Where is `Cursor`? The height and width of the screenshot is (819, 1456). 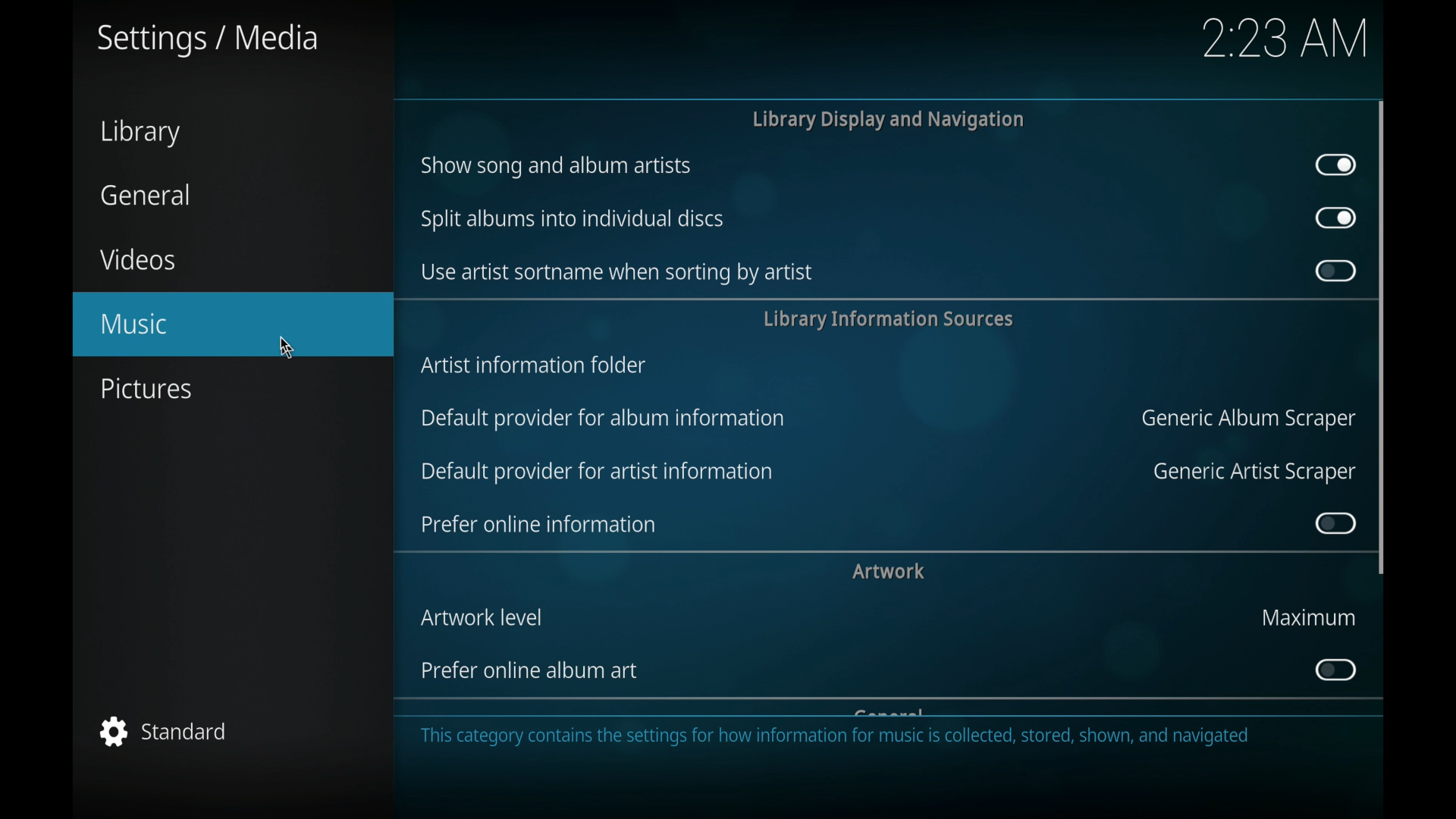
Cursor is located at coordinates (287, 345).